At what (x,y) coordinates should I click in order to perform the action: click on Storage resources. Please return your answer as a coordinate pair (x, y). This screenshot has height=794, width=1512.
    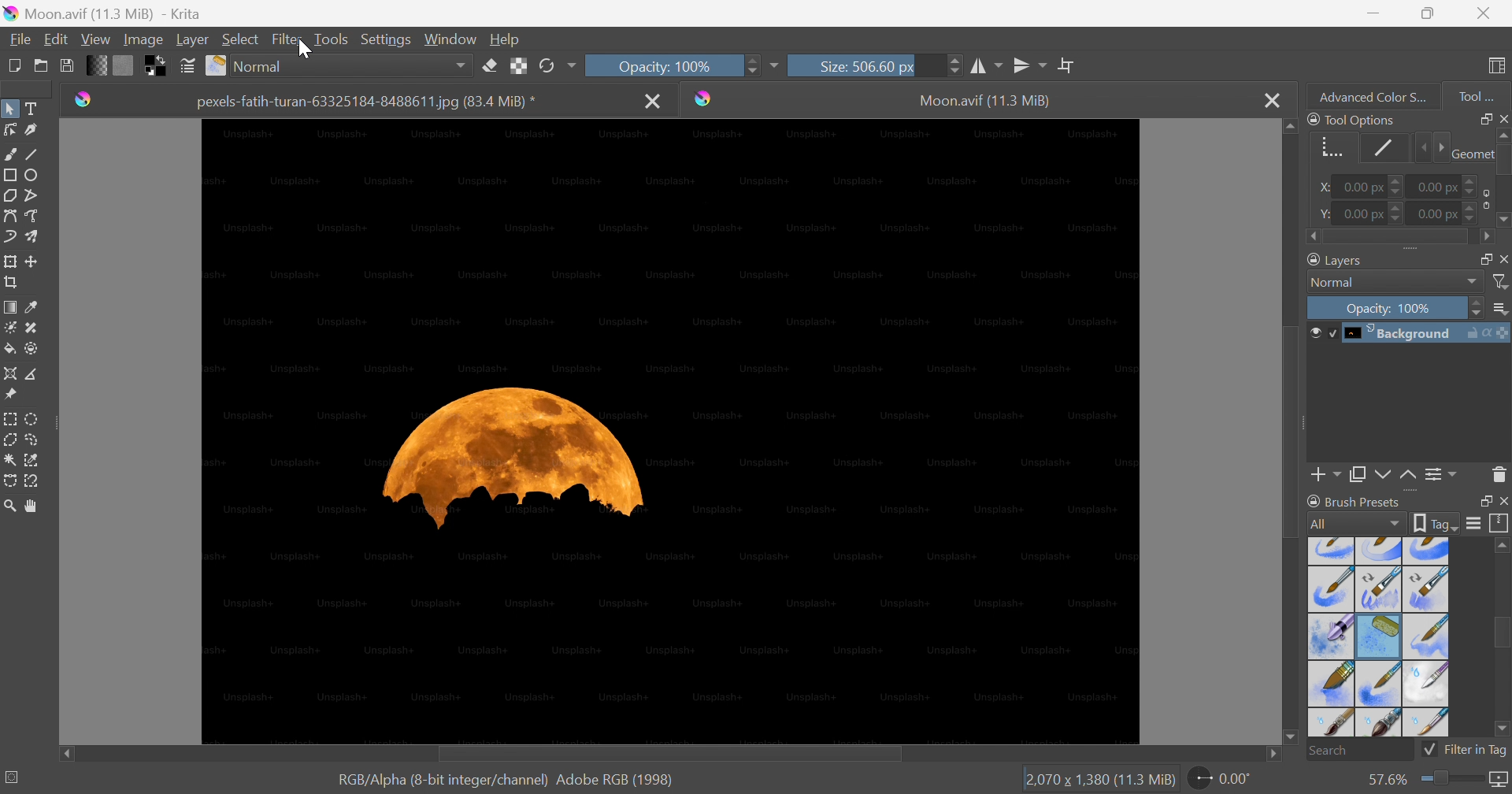
    Looking at the image, I should click on (1501, 523).